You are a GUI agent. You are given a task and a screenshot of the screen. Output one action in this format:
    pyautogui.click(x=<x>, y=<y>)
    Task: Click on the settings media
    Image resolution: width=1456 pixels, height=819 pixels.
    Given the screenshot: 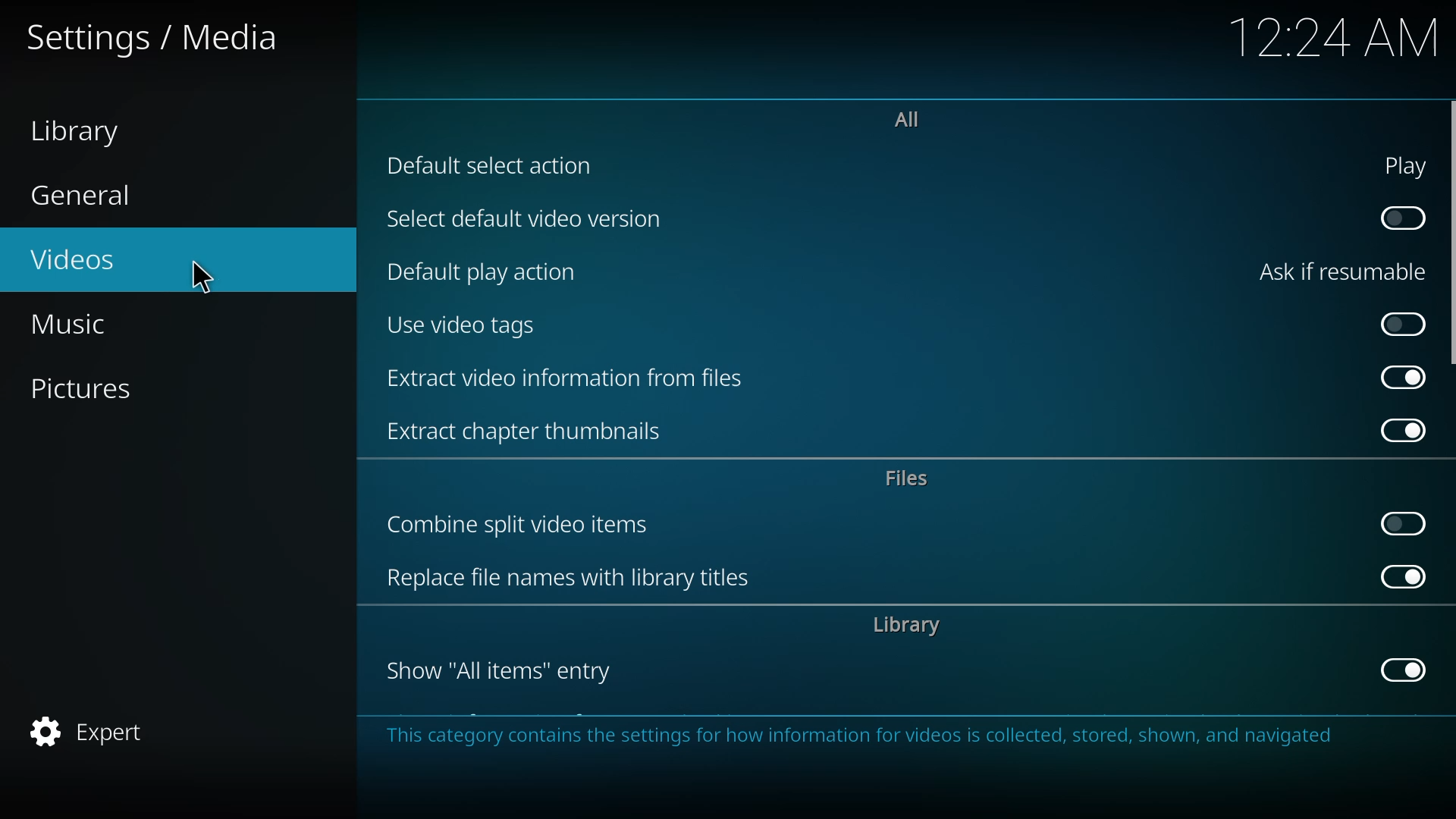 What is the action you would take?
    pyautogui.click(x=161, y=36)
    